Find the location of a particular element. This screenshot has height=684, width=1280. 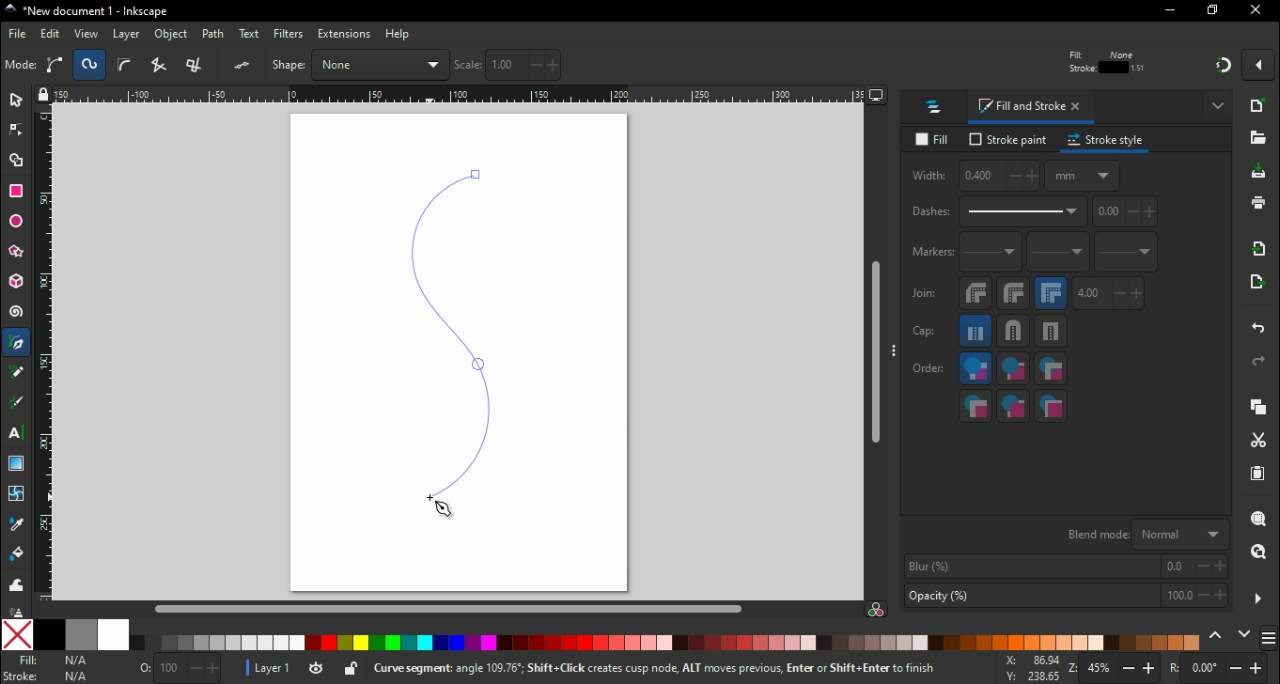

3D box tool is located at coordinates (16, 284).